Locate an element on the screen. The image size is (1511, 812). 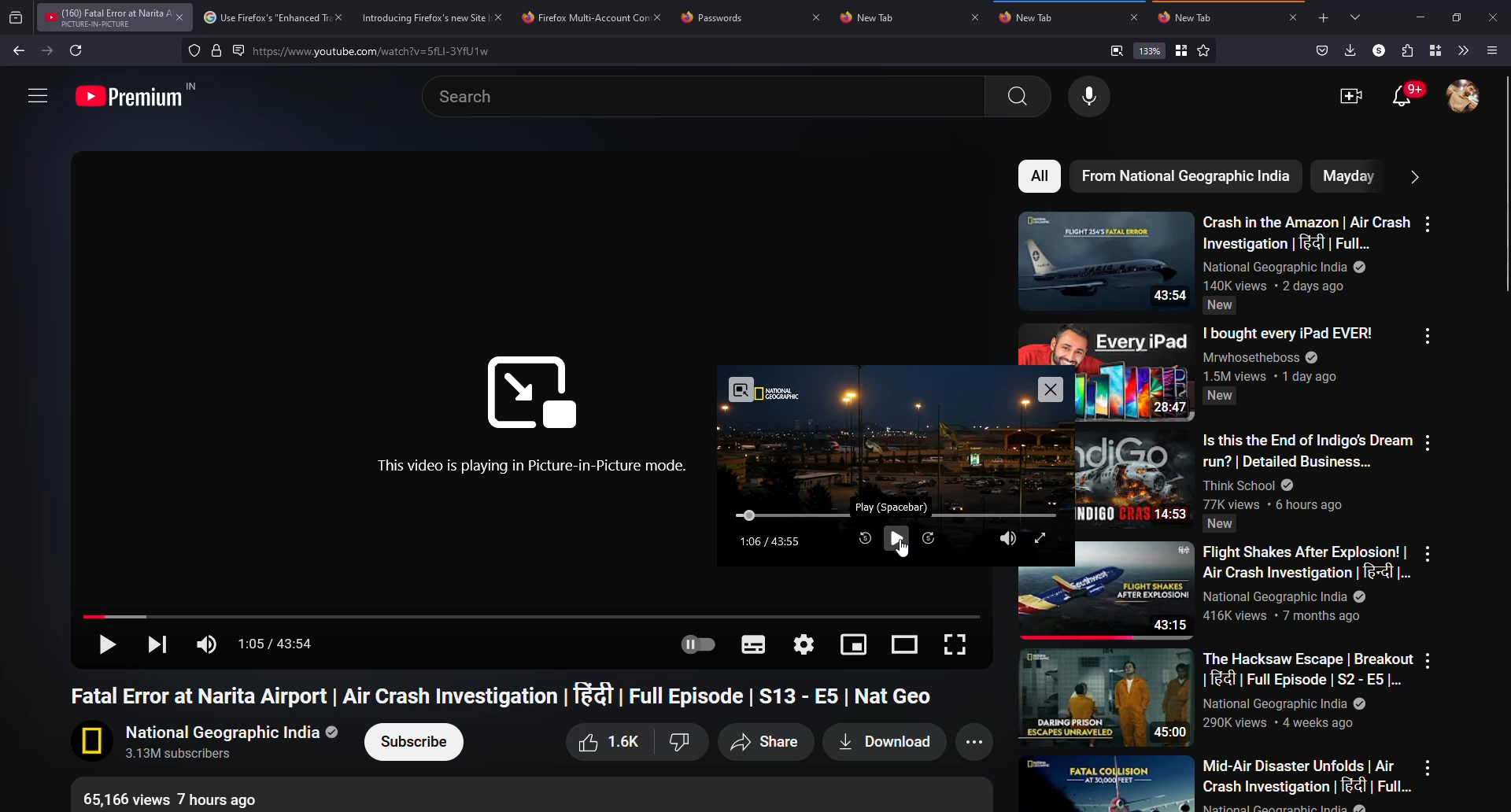
Indicates content is new is located at coordinates (1221, 305).